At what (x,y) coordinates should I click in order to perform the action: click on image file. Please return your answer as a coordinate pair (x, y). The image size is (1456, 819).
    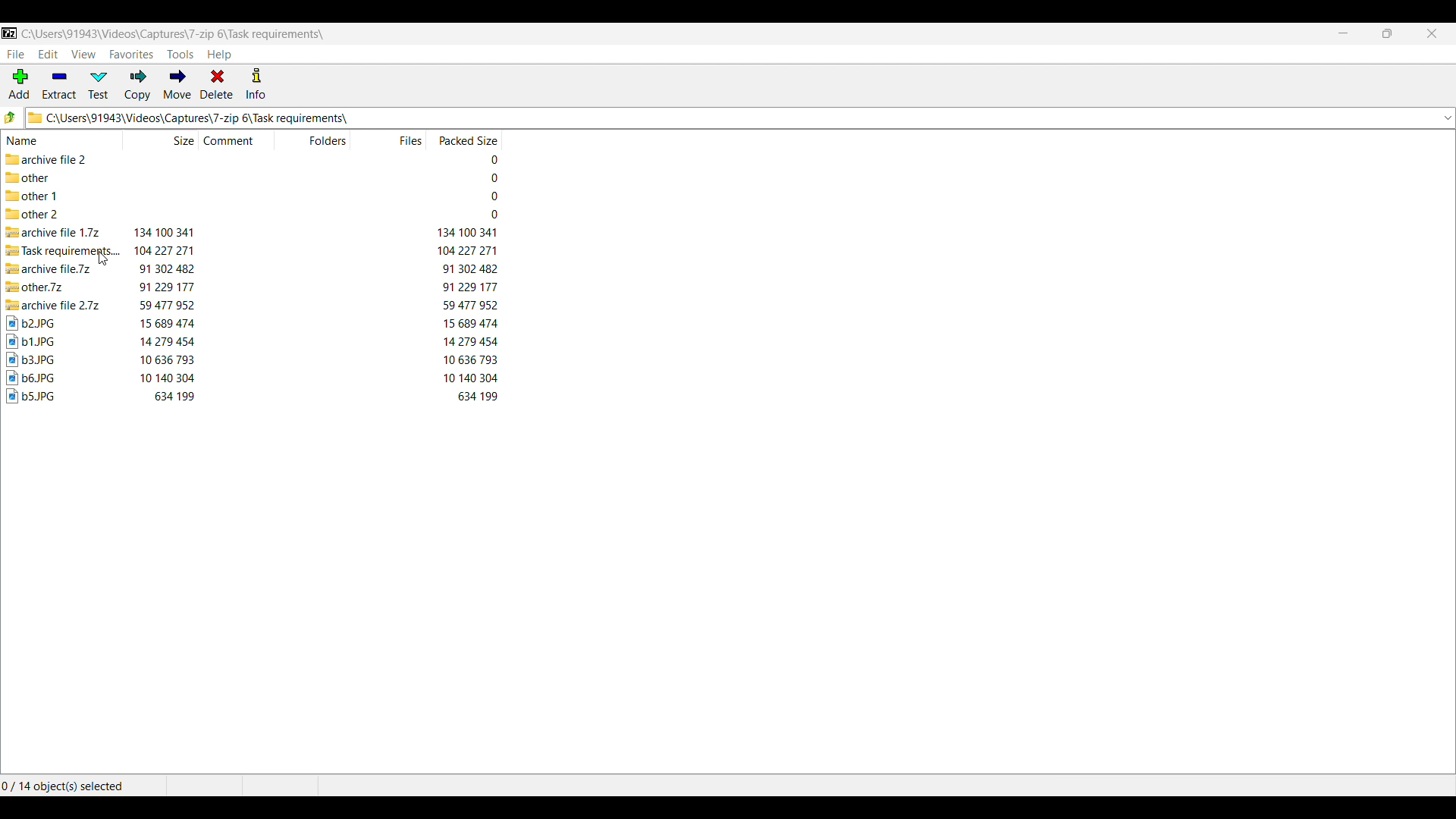
    Looking at the image, I should click on (44, 378).